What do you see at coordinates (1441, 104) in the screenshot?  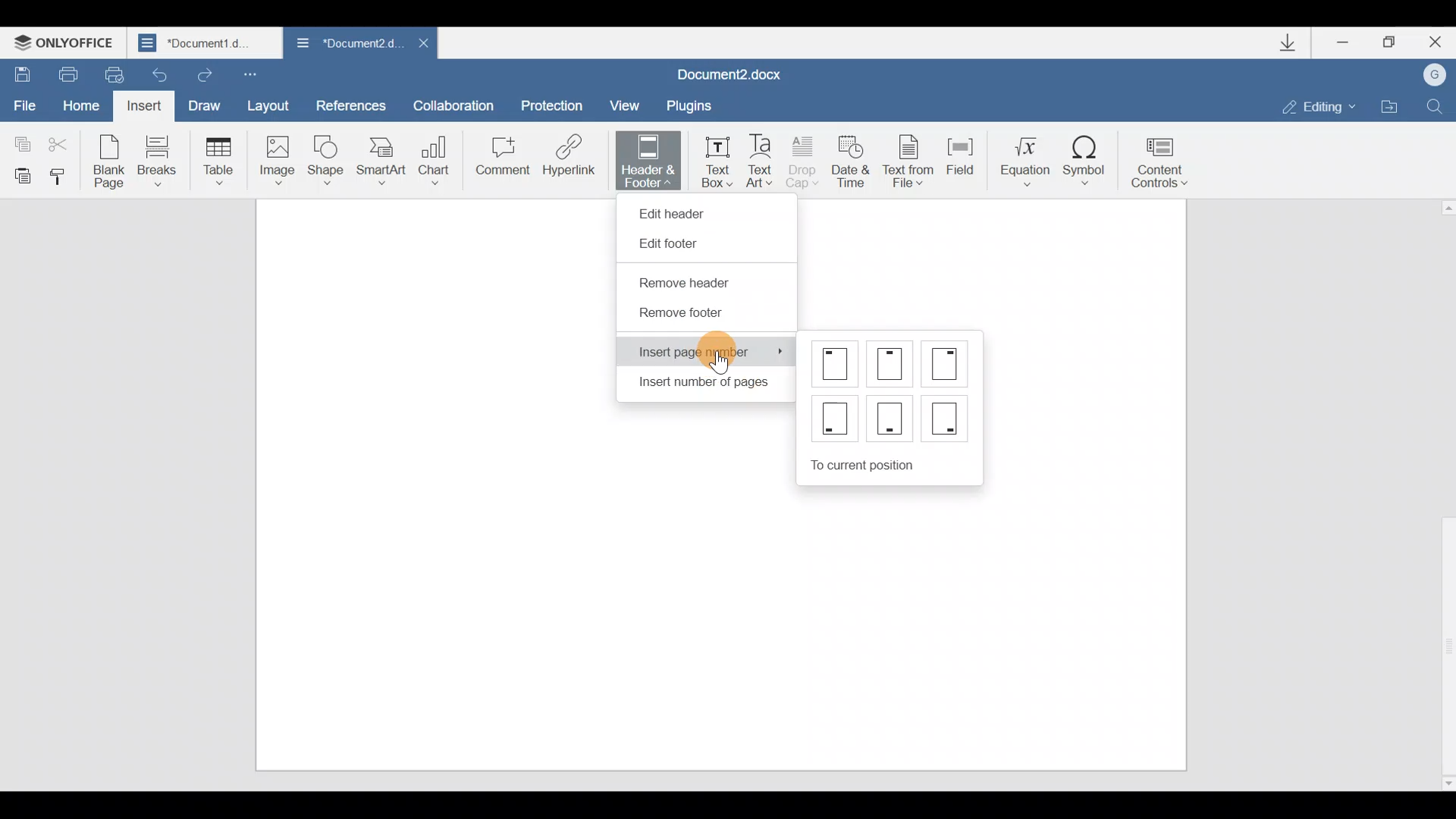 I see `Find` at bounding box center [1441, 104].